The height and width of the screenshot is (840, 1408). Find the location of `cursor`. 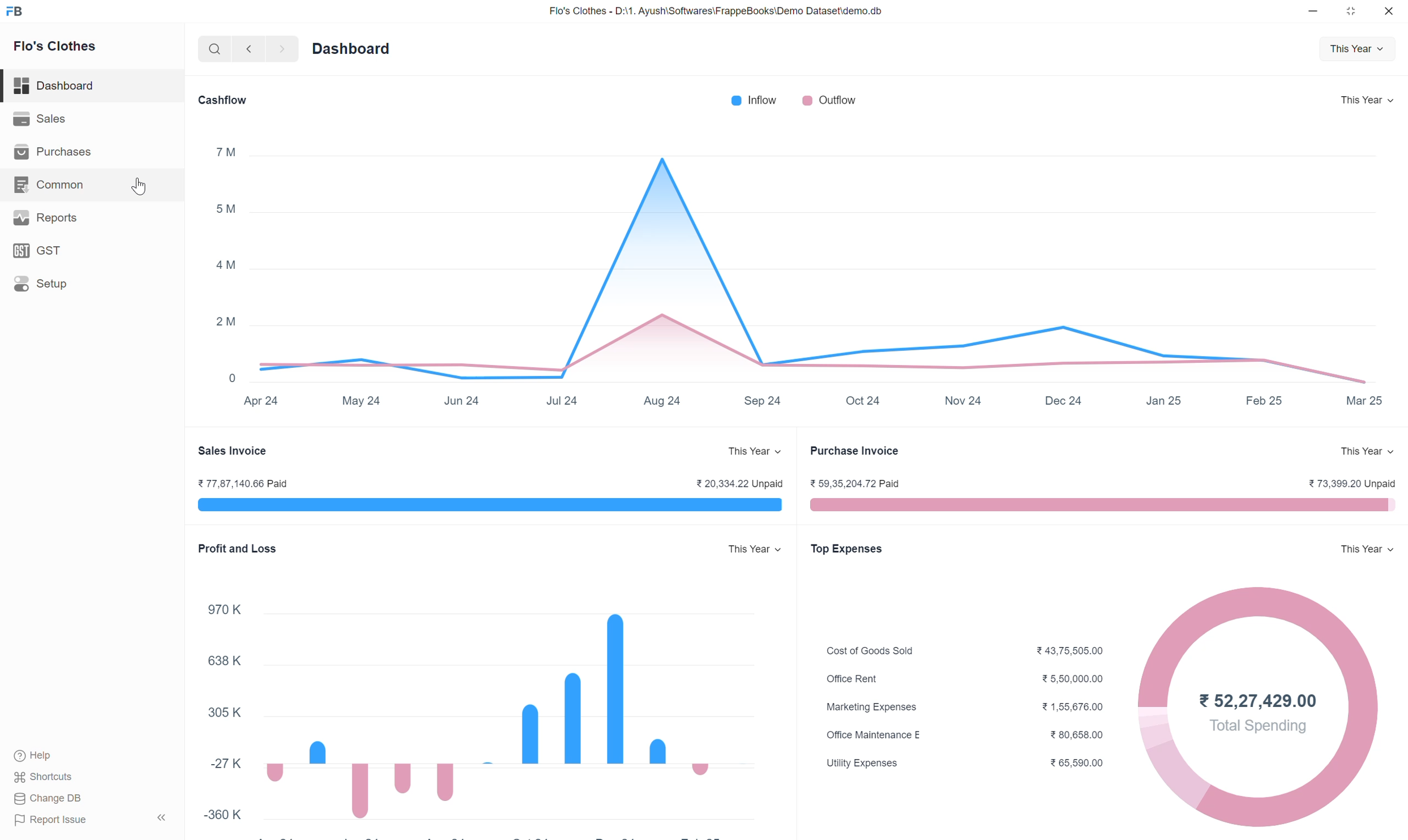

cursor is located at coordinates (139, 186).